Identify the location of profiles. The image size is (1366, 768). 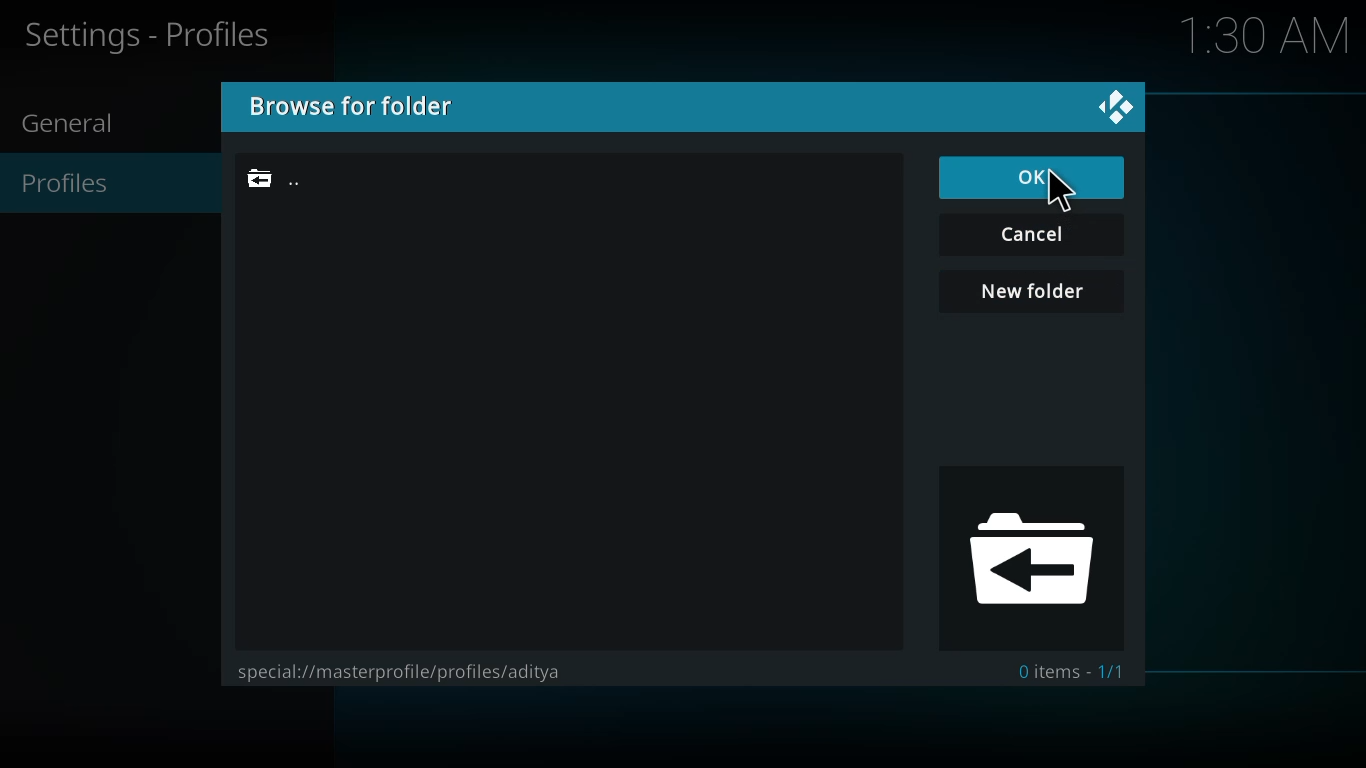
(77, 183).